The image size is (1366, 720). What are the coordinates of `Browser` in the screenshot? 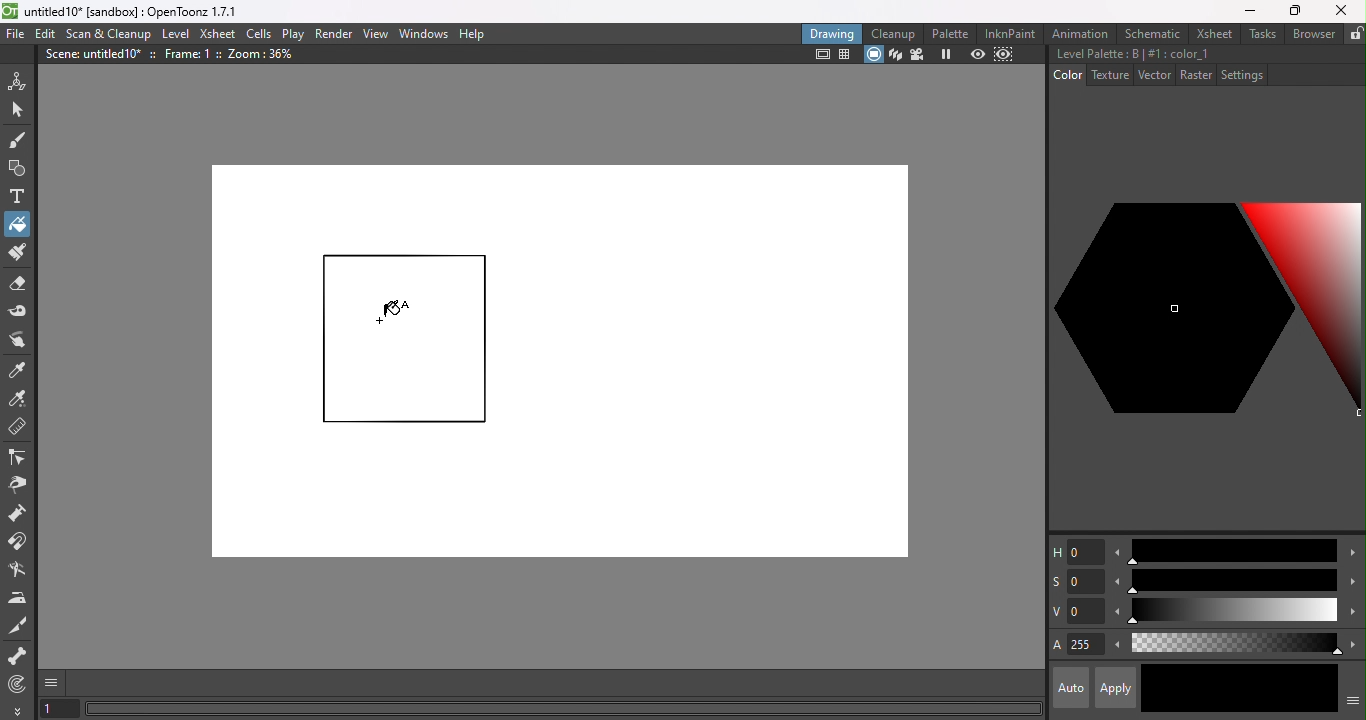 It's located at (1313, 33).